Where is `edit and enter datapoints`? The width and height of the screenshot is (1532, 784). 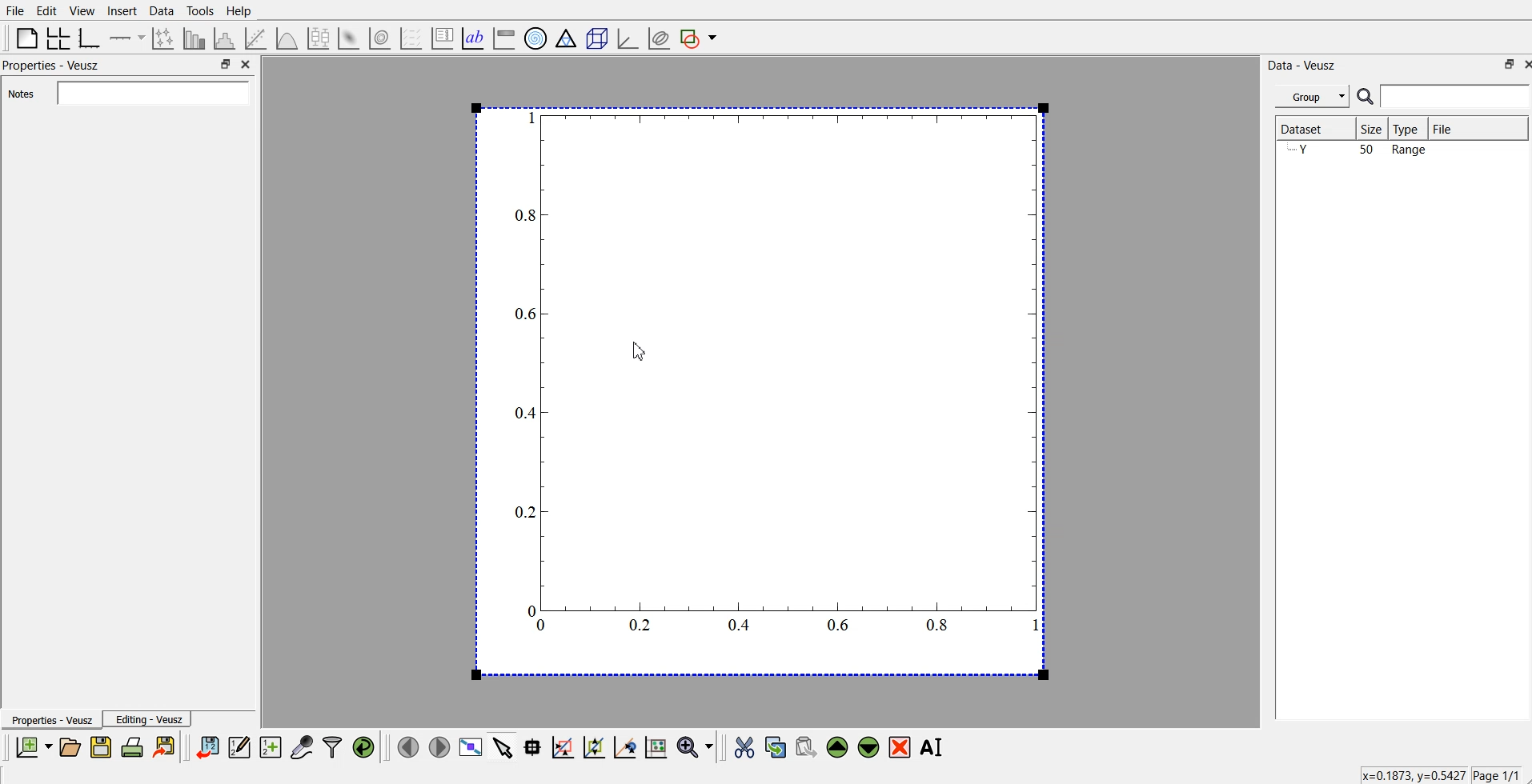 edit and enter datapoints is located at coordinates (240, 748).